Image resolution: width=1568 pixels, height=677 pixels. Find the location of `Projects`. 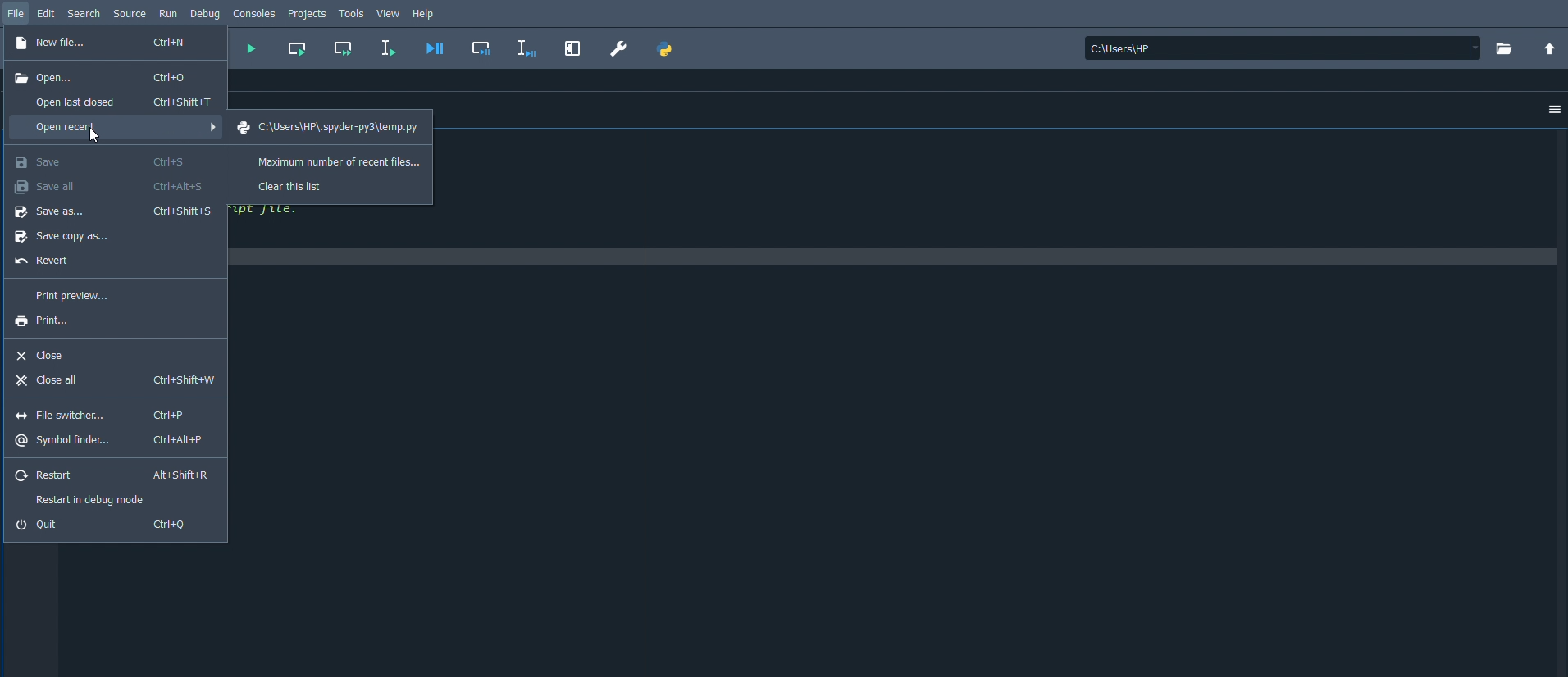

Projects is located at coordinates (308, 14).